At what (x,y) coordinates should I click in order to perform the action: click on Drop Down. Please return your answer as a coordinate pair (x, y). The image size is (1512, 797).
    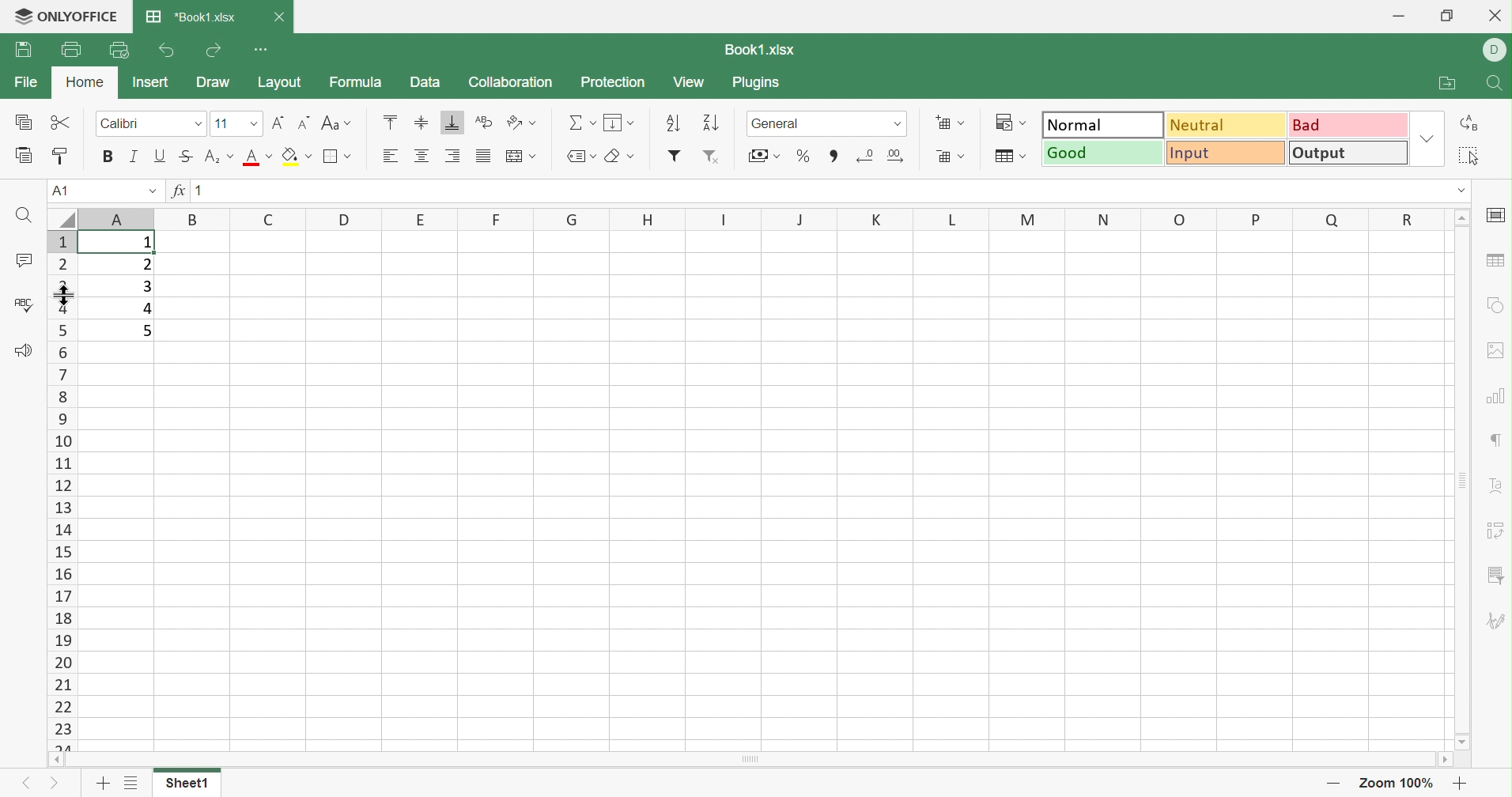
    Looking at the image, I should click on (533, 155).